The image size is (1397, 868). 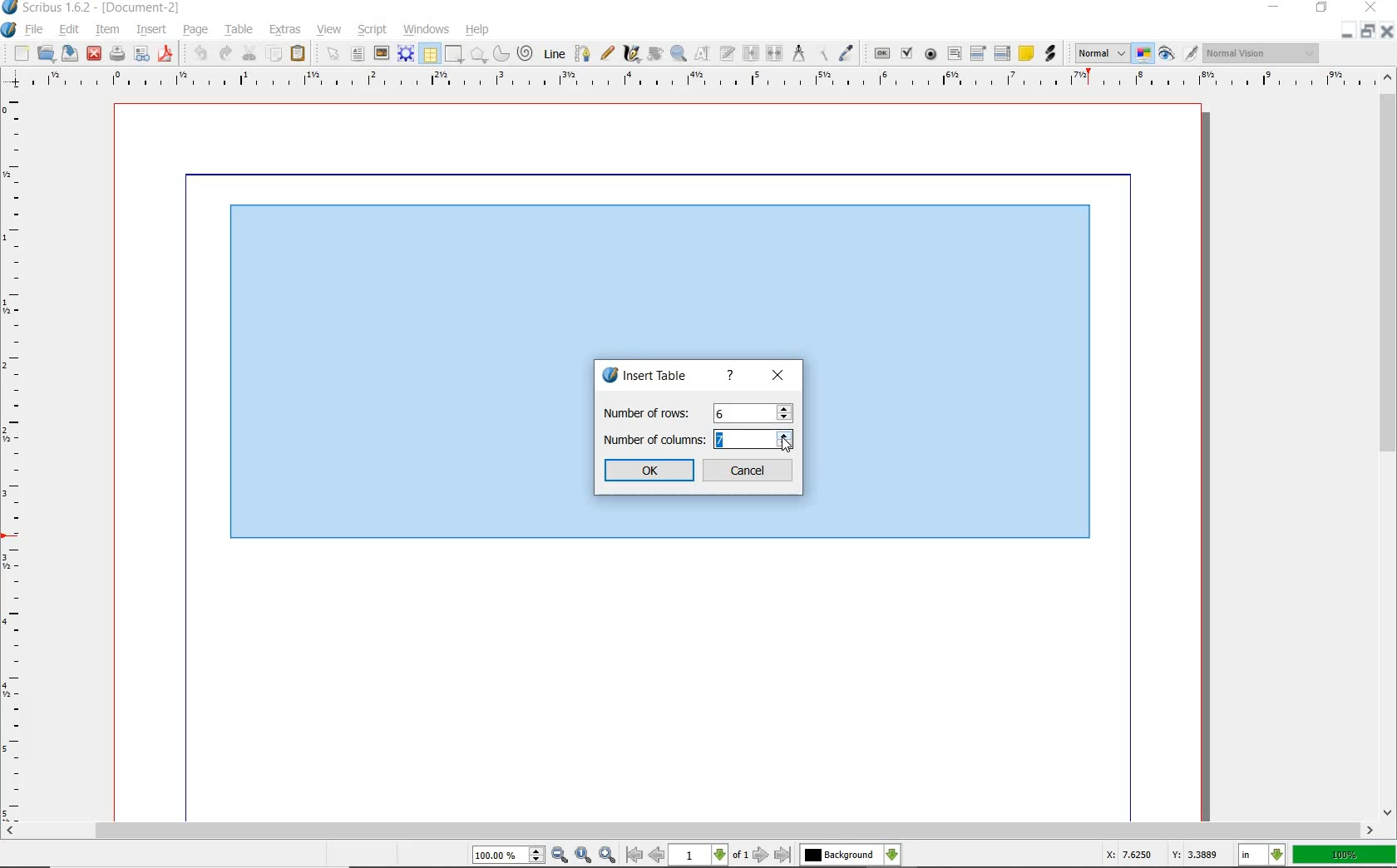 I want to click on edit, so click(x=70, y=31).